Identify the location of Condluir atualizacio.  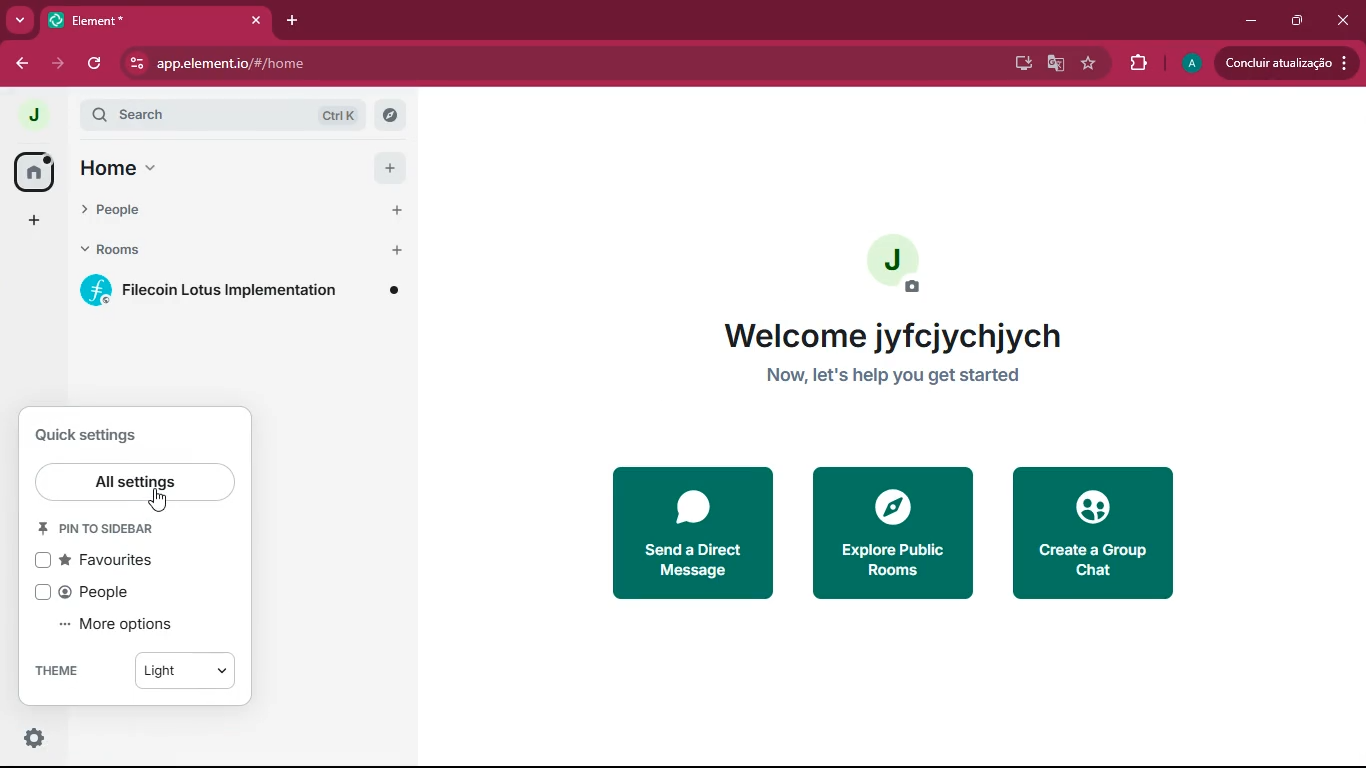
(1283, 64).